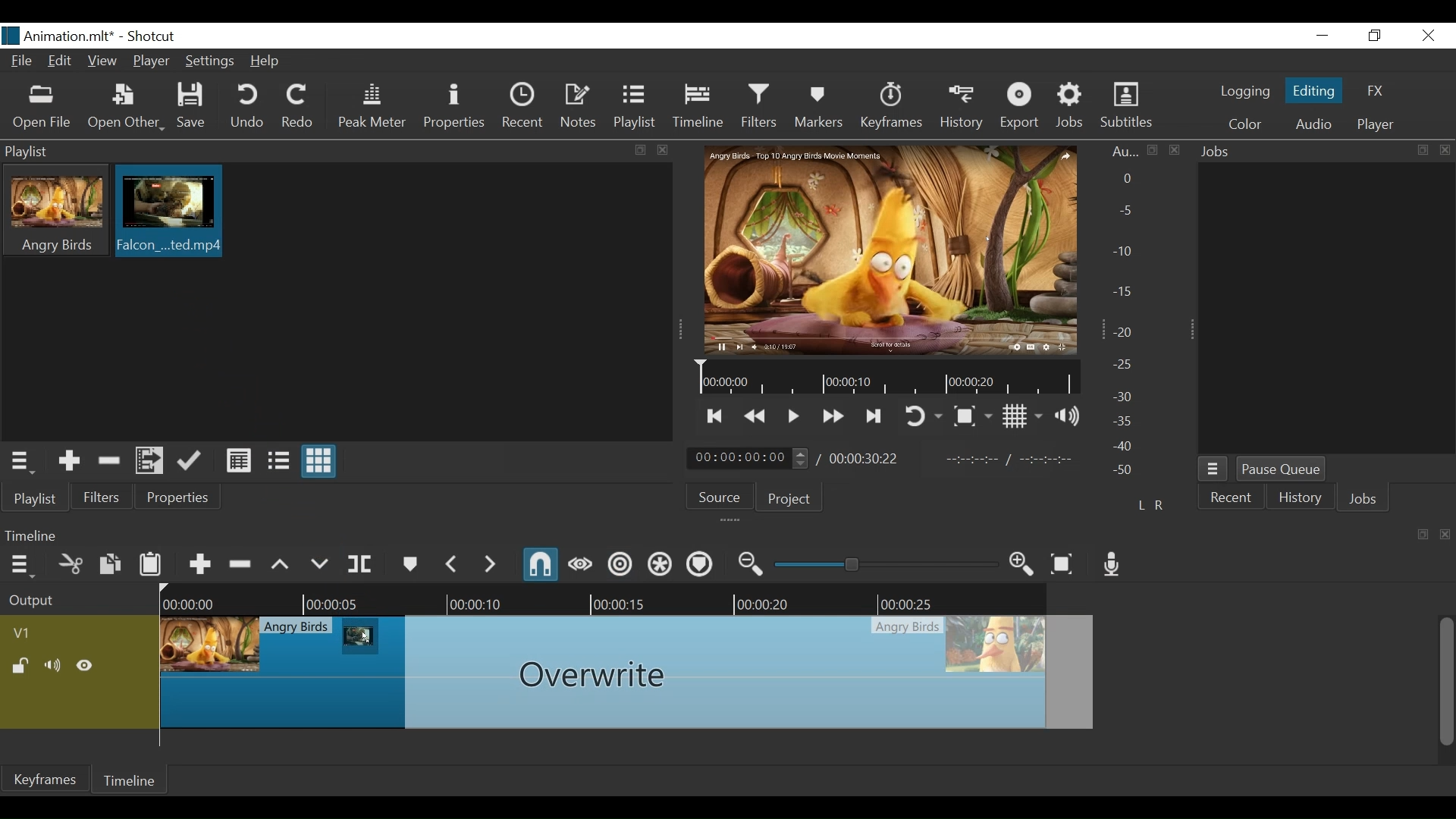 Image resolution: width=1456 pixels, height=819 pixels. Describe the element at coordinates (700, 564) in the screenshot. I see `Ripple Markers` at that location.